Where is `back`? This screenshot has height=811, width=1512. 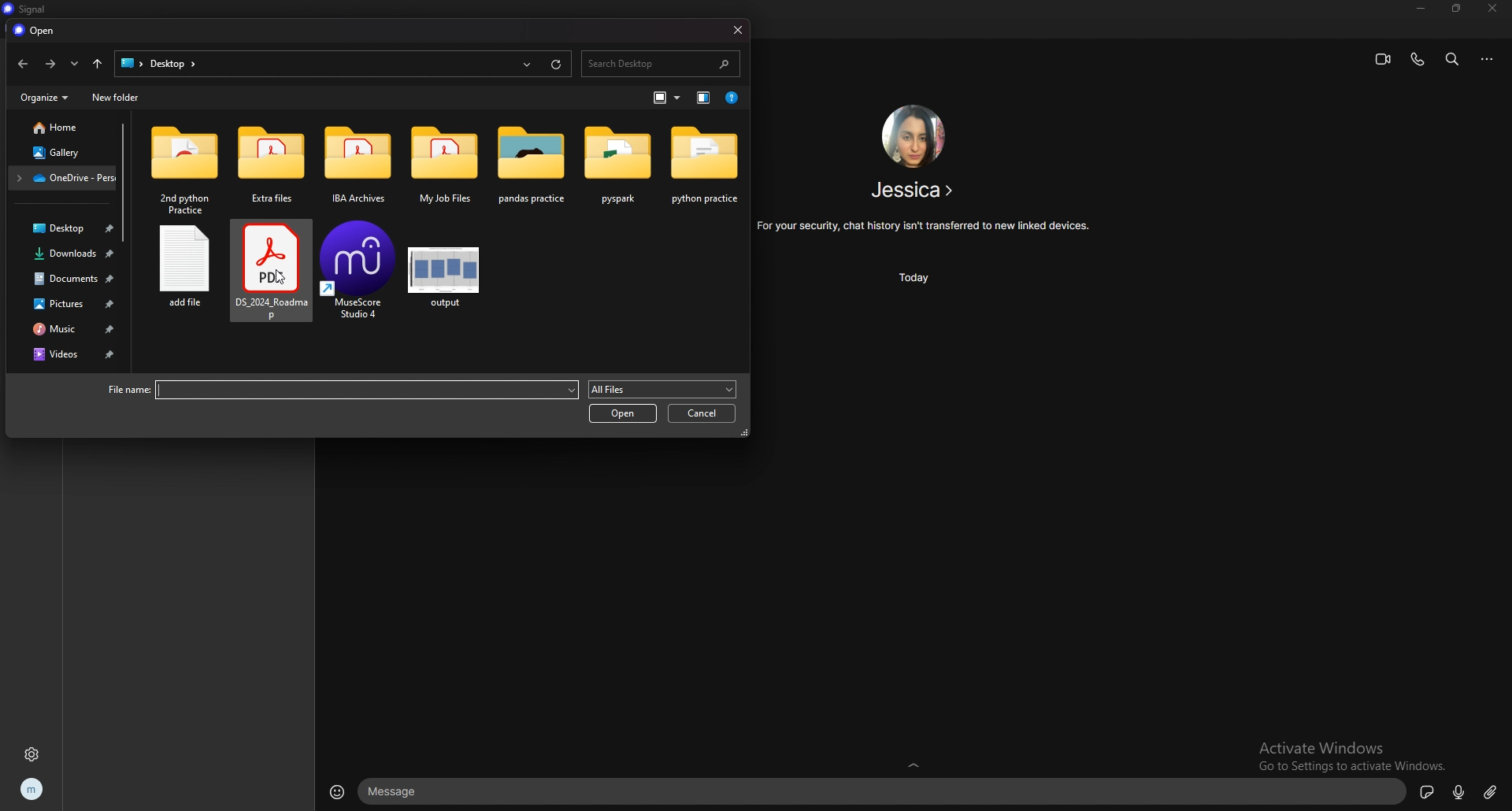 back is located at coordinates (22, 64).